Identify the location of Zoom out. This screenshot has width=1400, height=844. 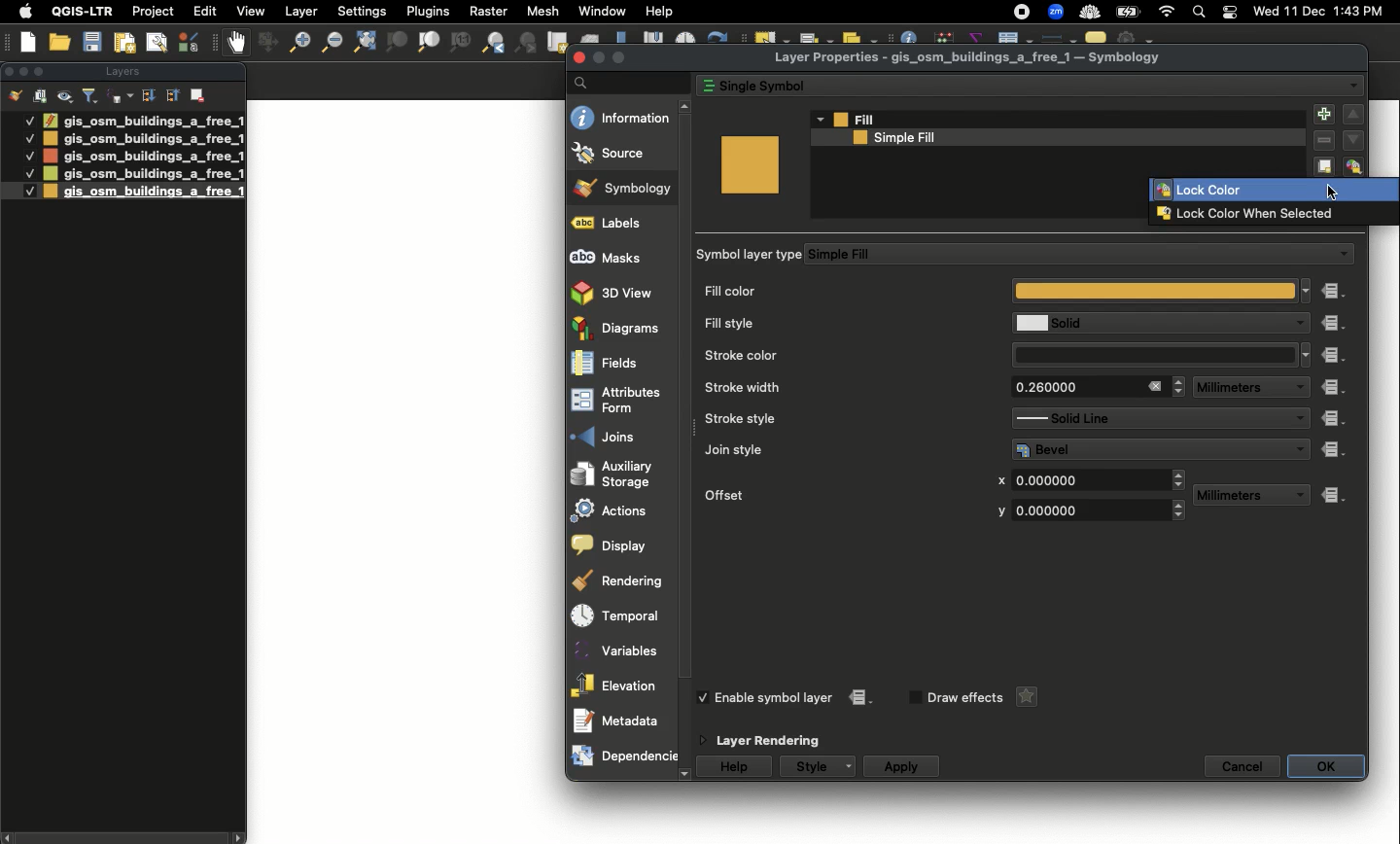
(295, 45).